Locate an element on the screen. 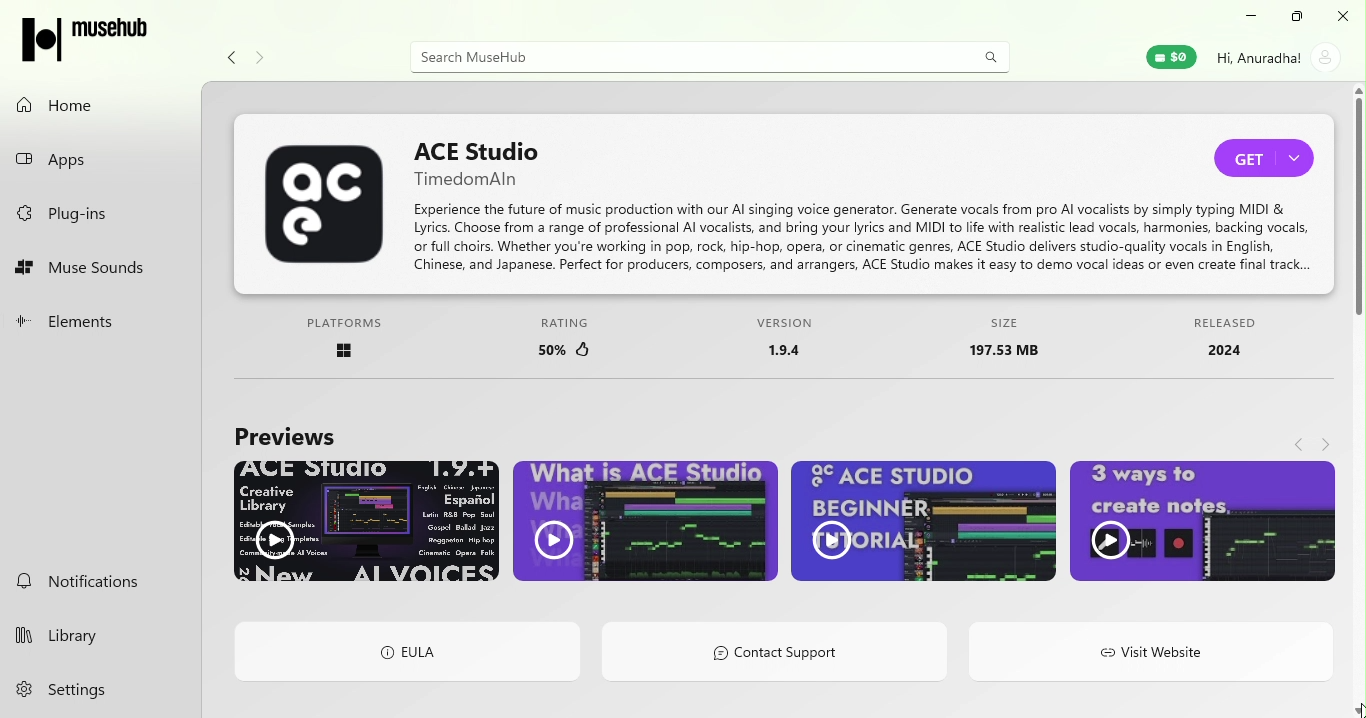 The width and height of the screenshot is (1366, 718). cursor is located at coordinates (1349, 699).